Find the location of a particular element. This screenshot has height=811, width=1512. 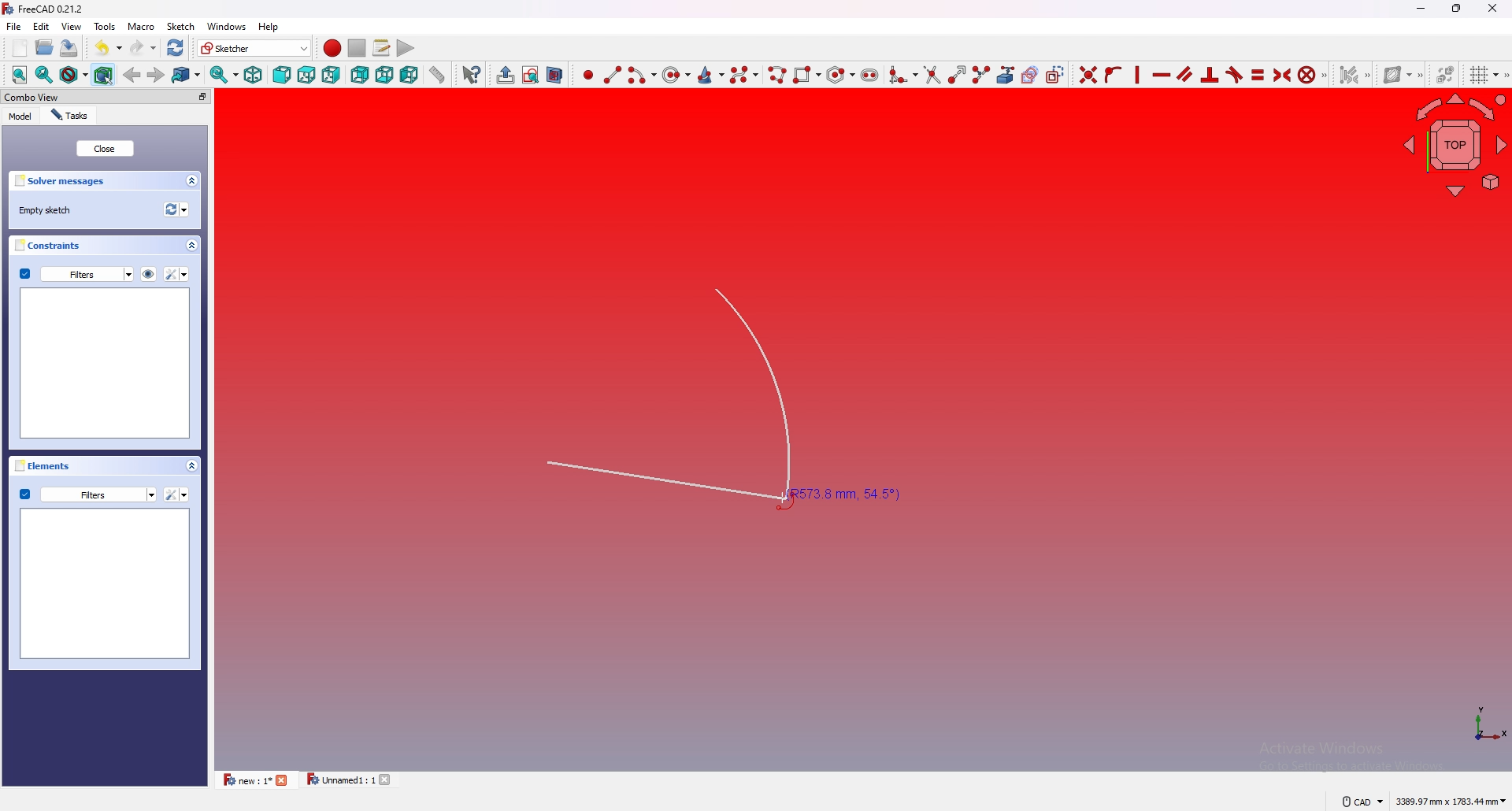

split edge is located at coordinates (980, 73).